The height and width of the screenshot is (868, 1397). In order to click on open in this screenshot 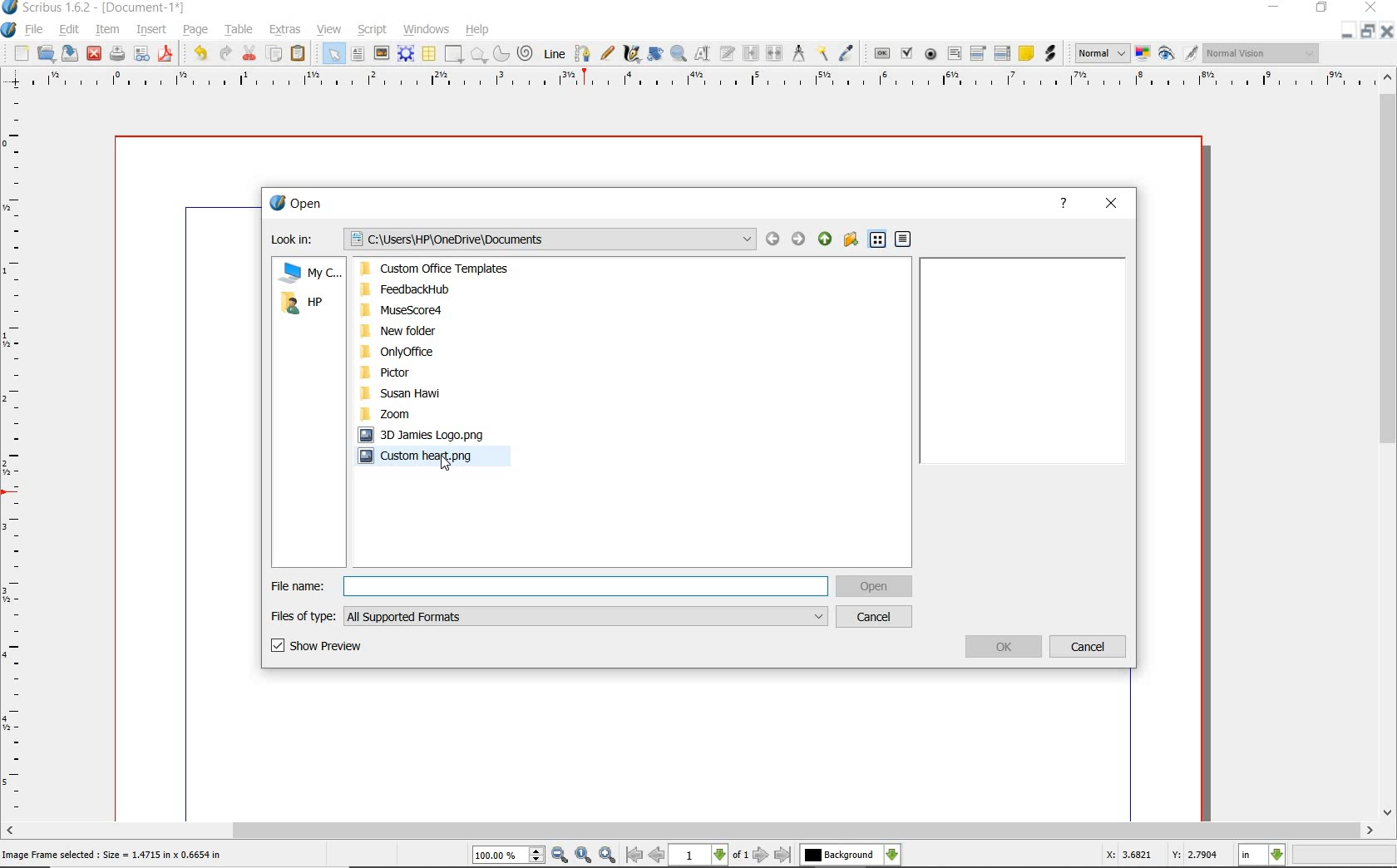, I will do `click(297, 204)`.